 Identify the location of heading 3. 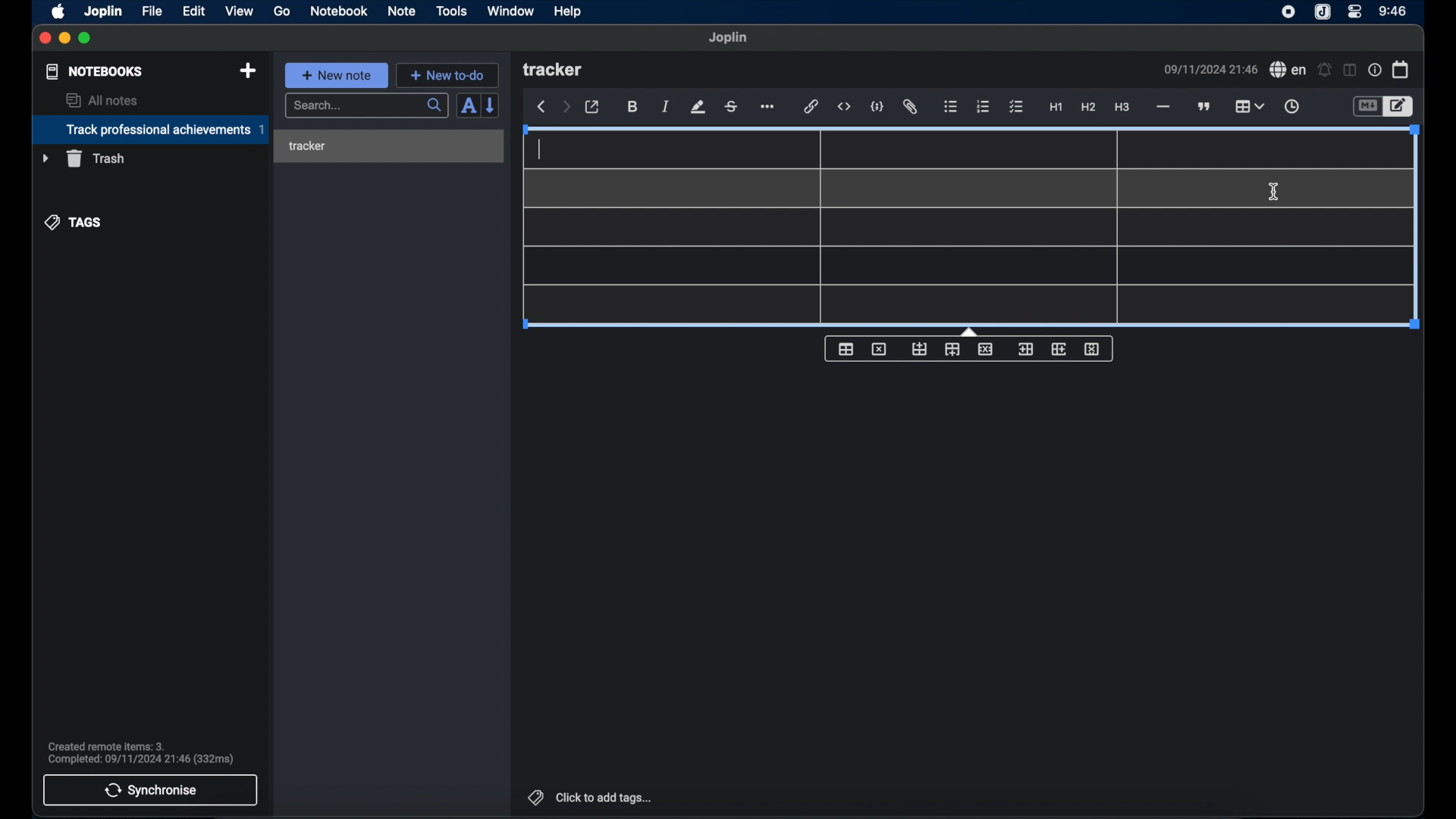
(1123, 108).